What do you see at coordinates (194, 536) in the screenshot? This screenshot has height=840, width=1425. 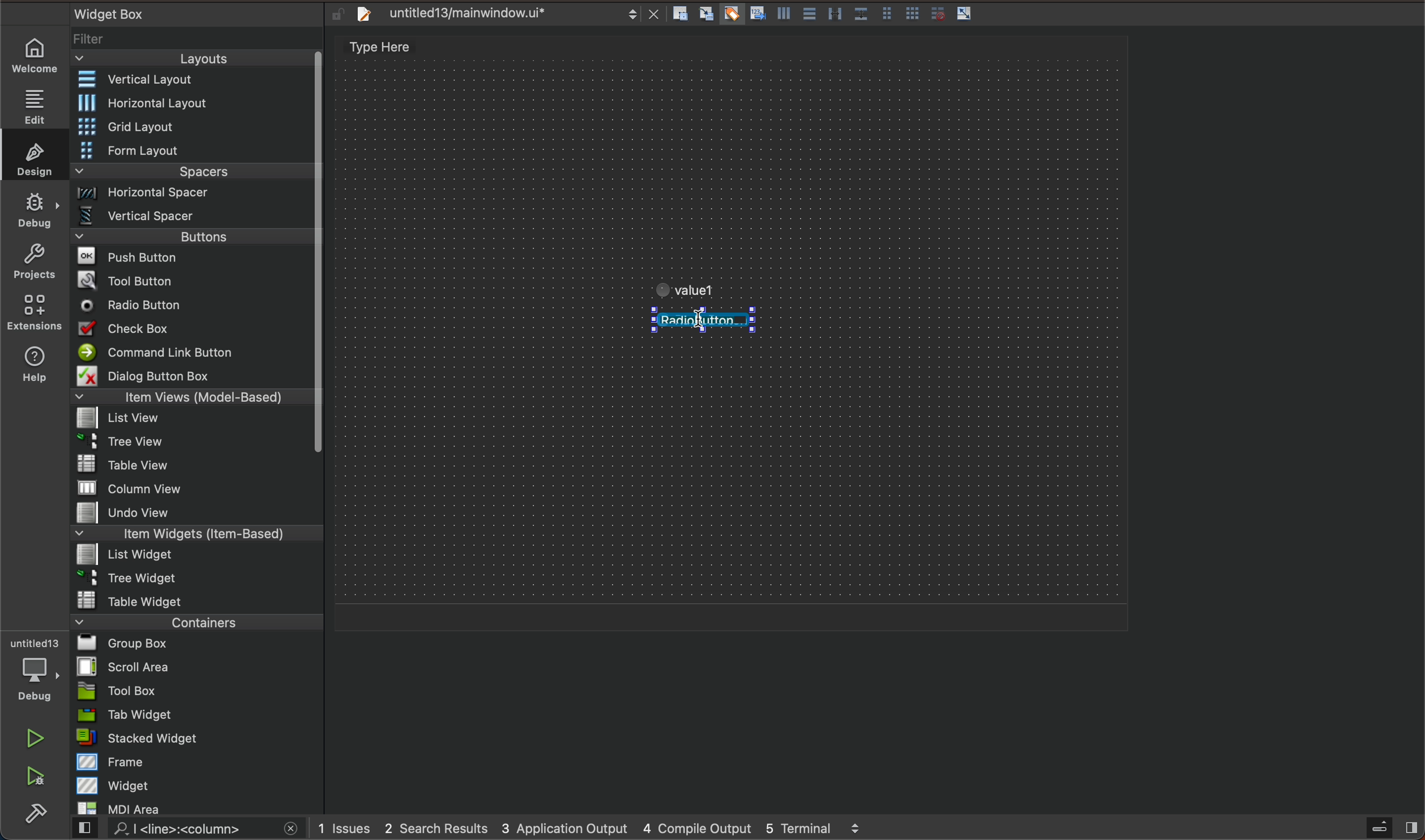 I see `item widget` at bounding box center [194, 536].